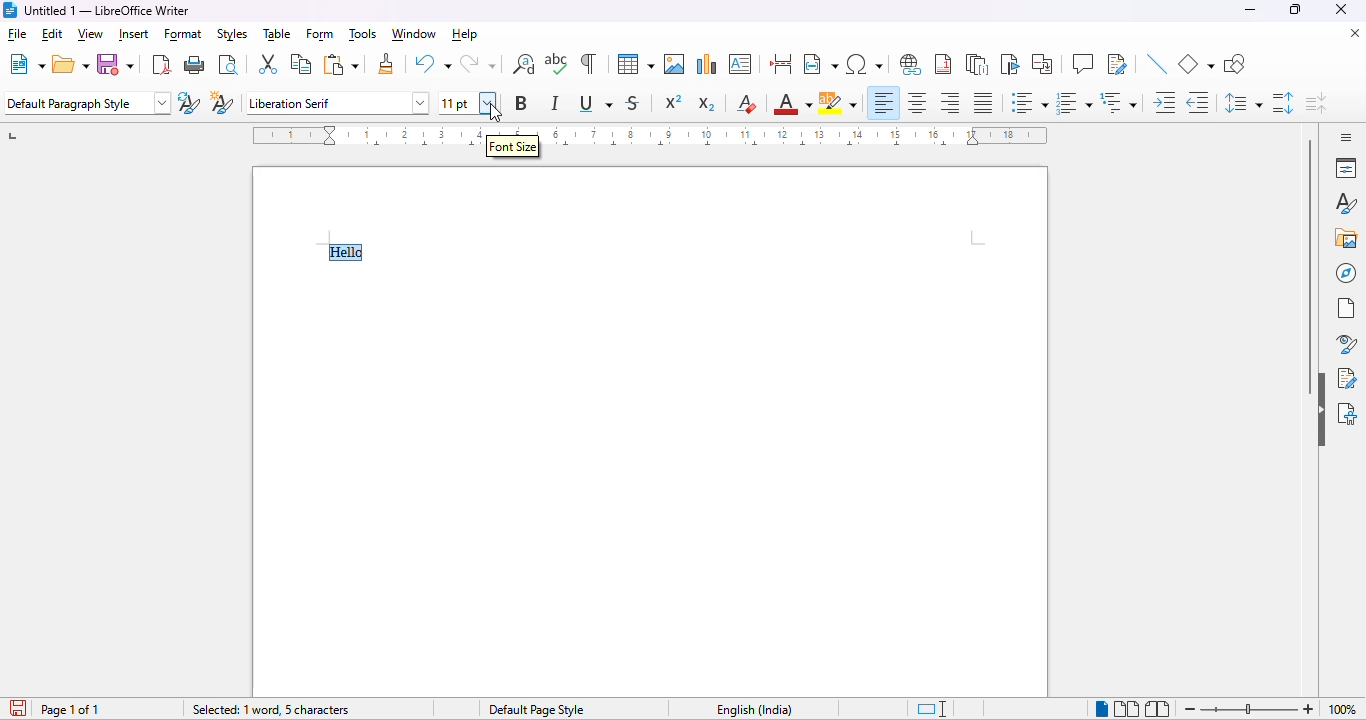 This screenshot has width=1366, height=720. Describe the element at coordinates (108, 10) in the screenshot. I see `Untitled 1 -LibreOffice Writer` at that location.